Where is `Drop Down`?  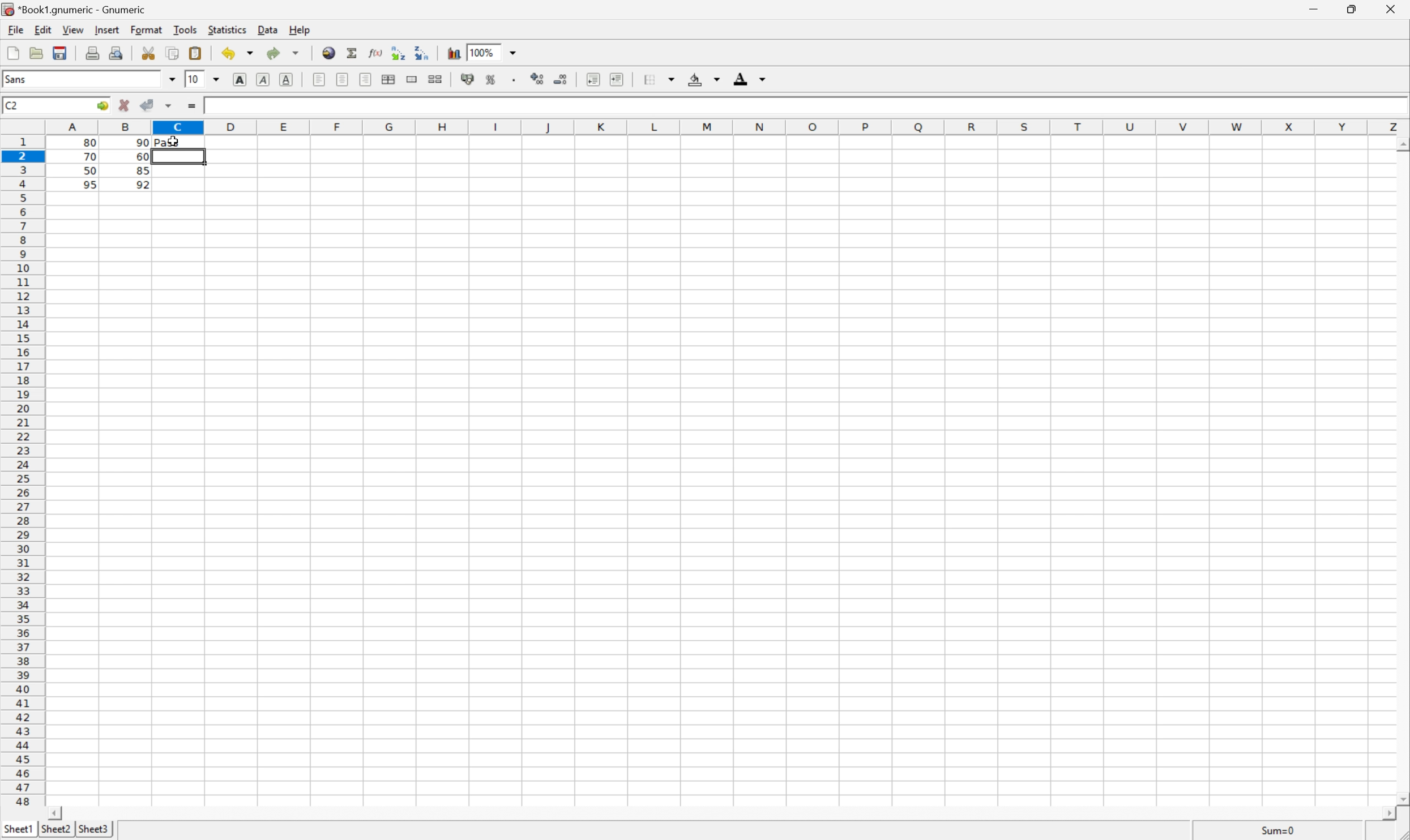 Drop Down is located at coordinates (220, 79).